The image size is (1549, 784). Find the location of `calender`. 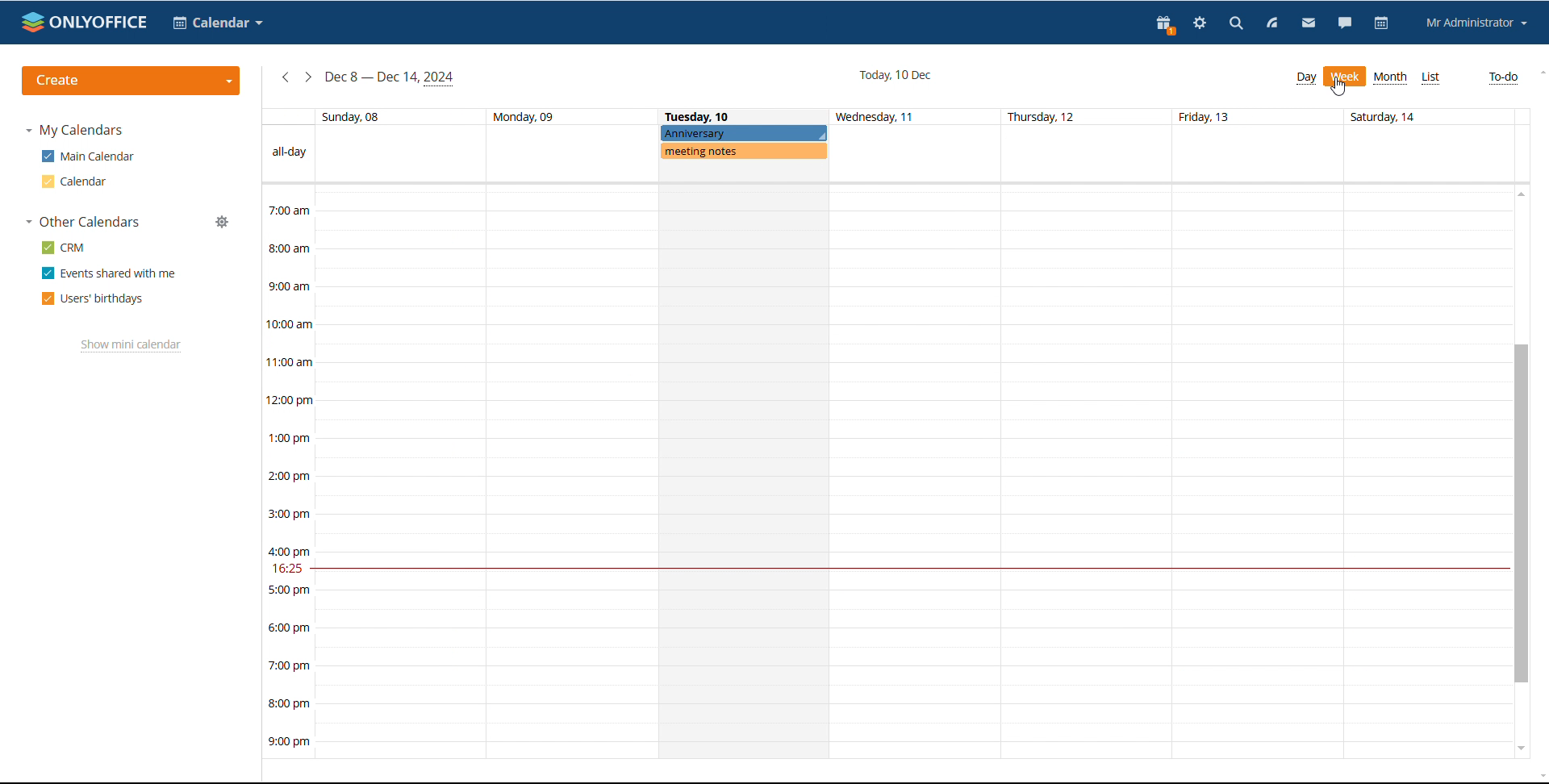

calender is located at coordinates (219, 22).